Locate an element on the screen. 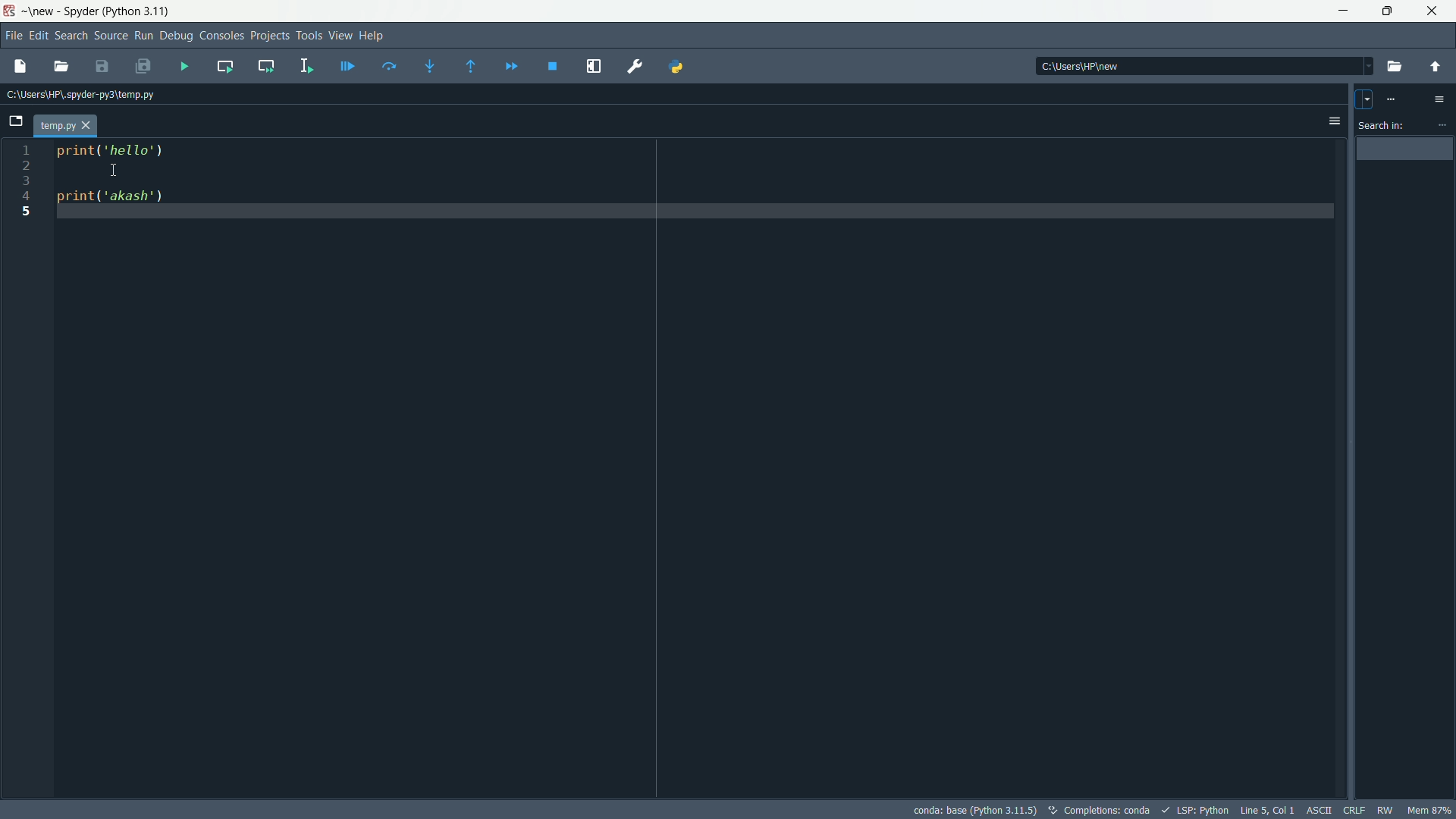 Image resolution: width=1456 pixels, height=819 pixels. text is located at coordinates (1102, 811).